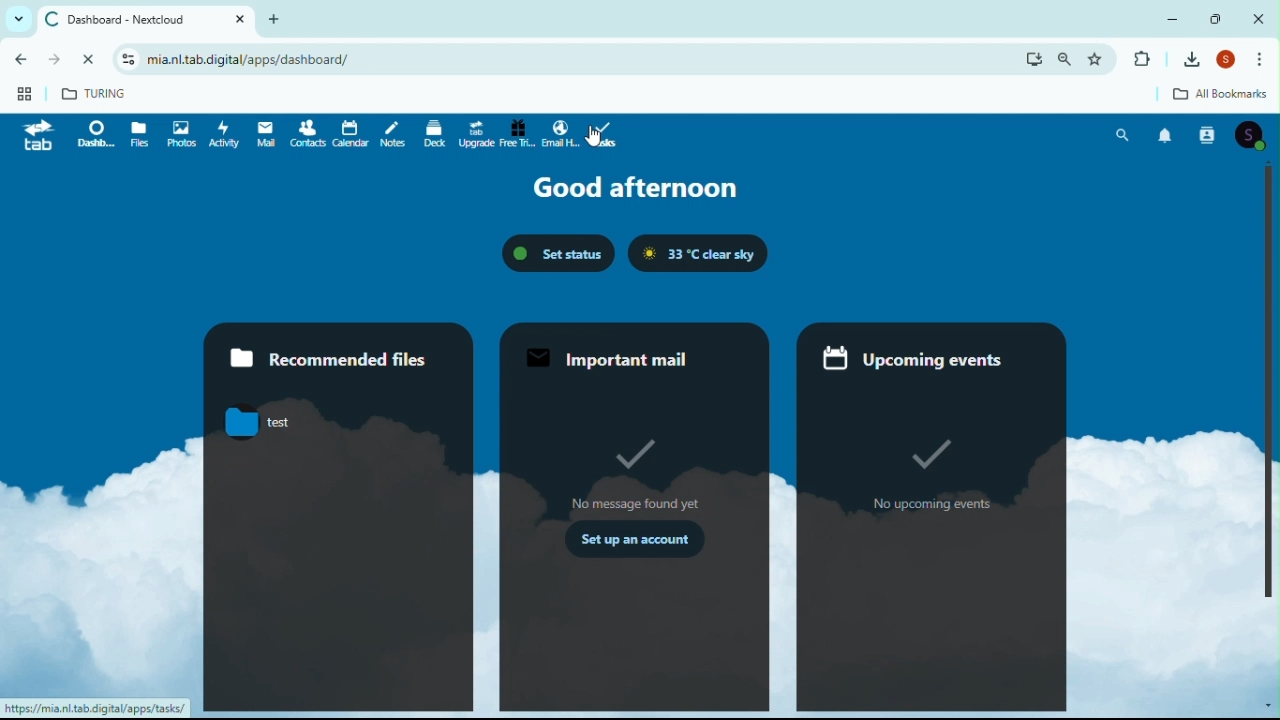 This screenshot has width=1280, height=720. What do you see at coordinates (698, 252) in the screenshot?
I see `33 C clear sky` at bounding box center [698, 252].